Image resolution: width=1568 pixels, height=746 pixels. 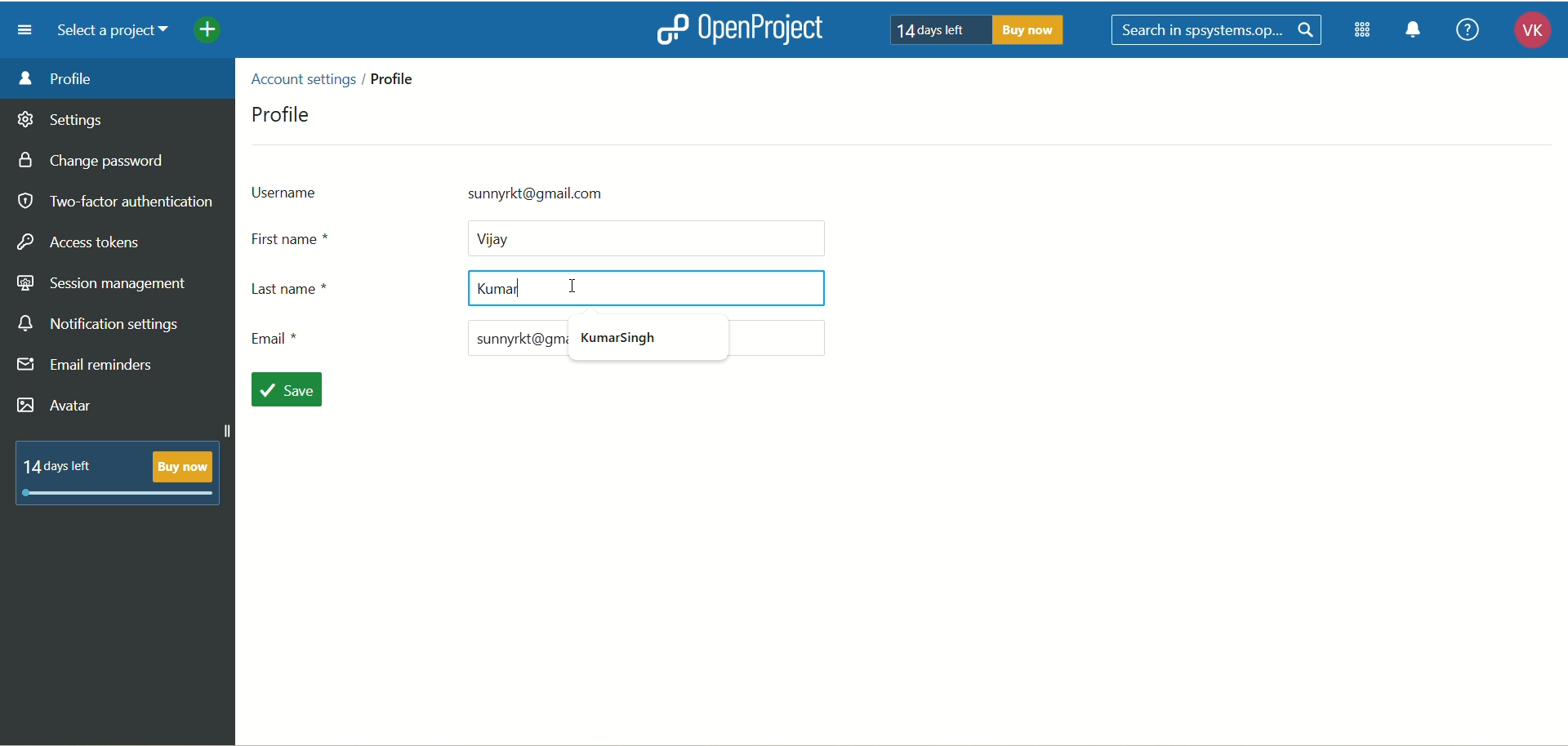 I want to click on session management, so click(x=102, y=285).